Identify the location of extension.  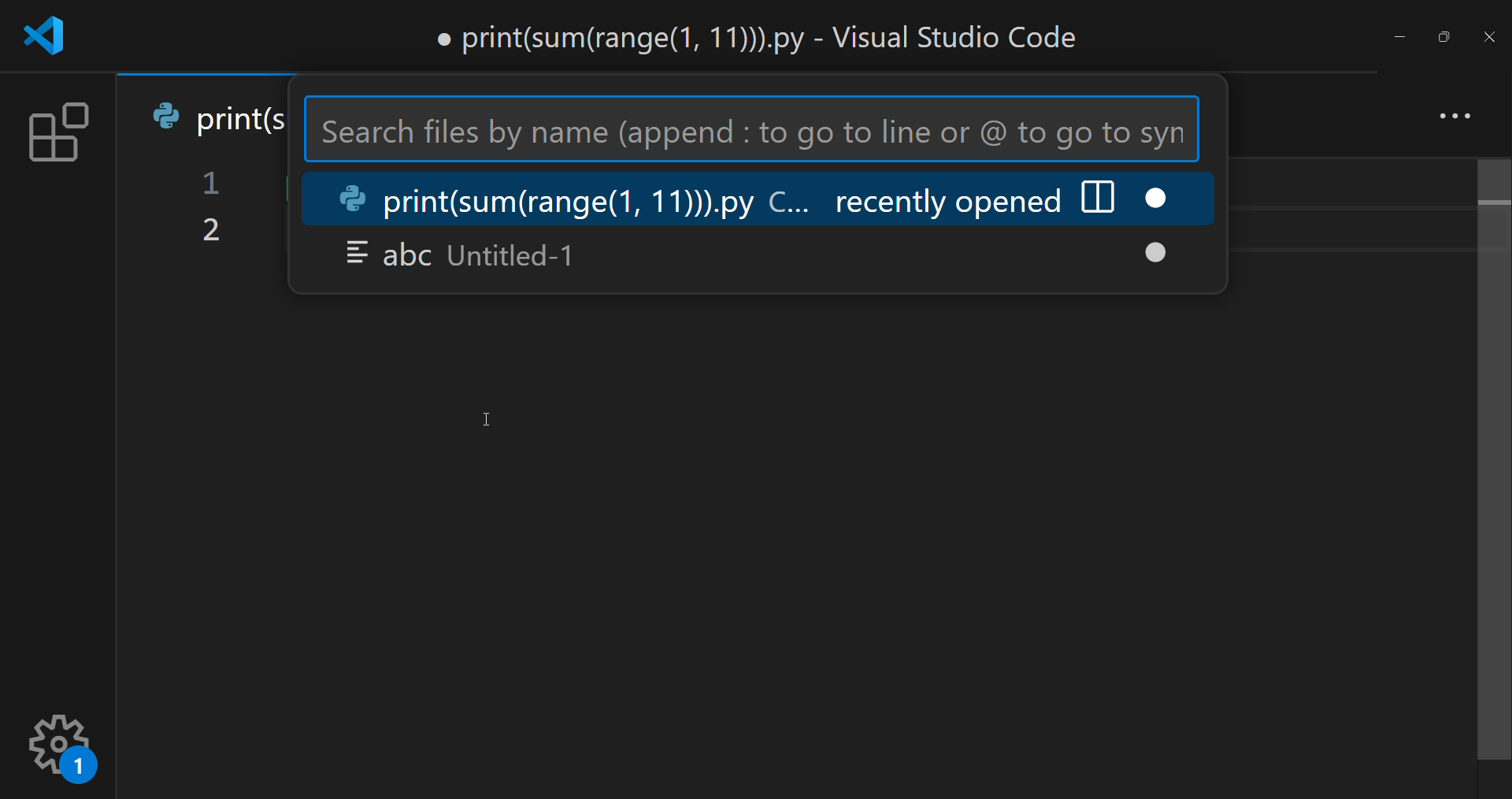
(59, 130).